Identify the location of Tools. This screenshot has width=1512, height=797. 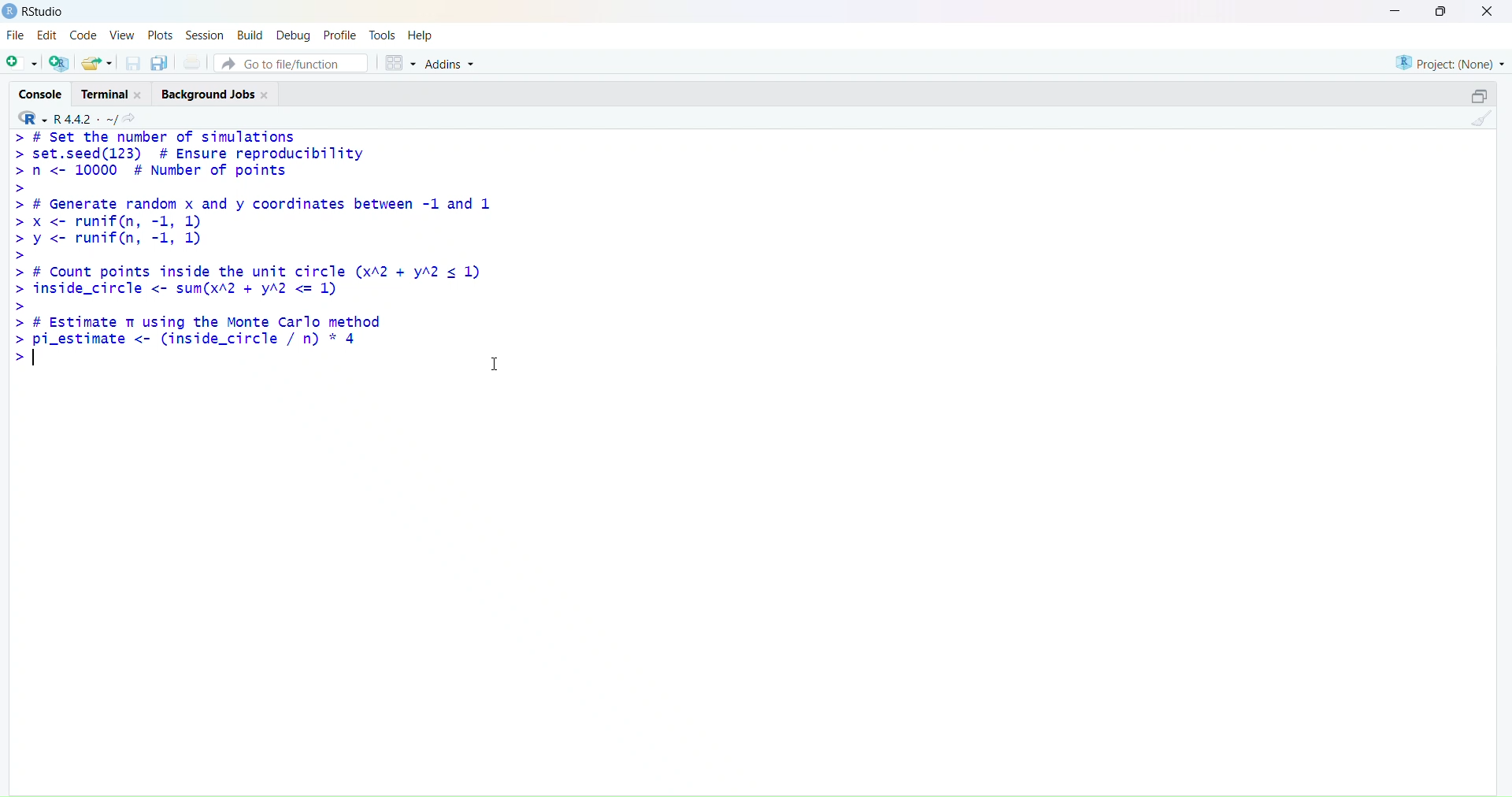
(383, 34).